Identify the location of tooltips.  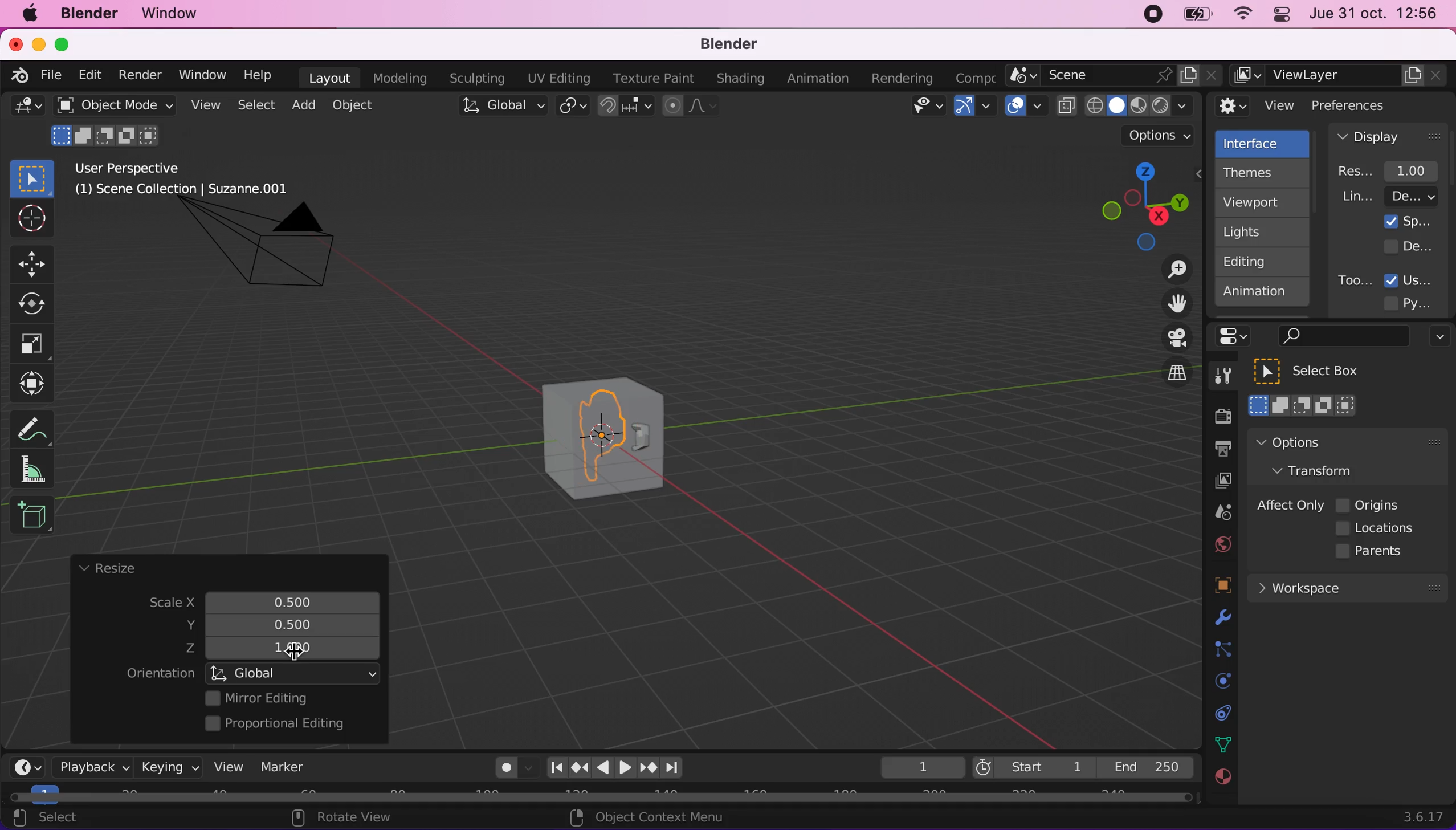
(1354, 280).